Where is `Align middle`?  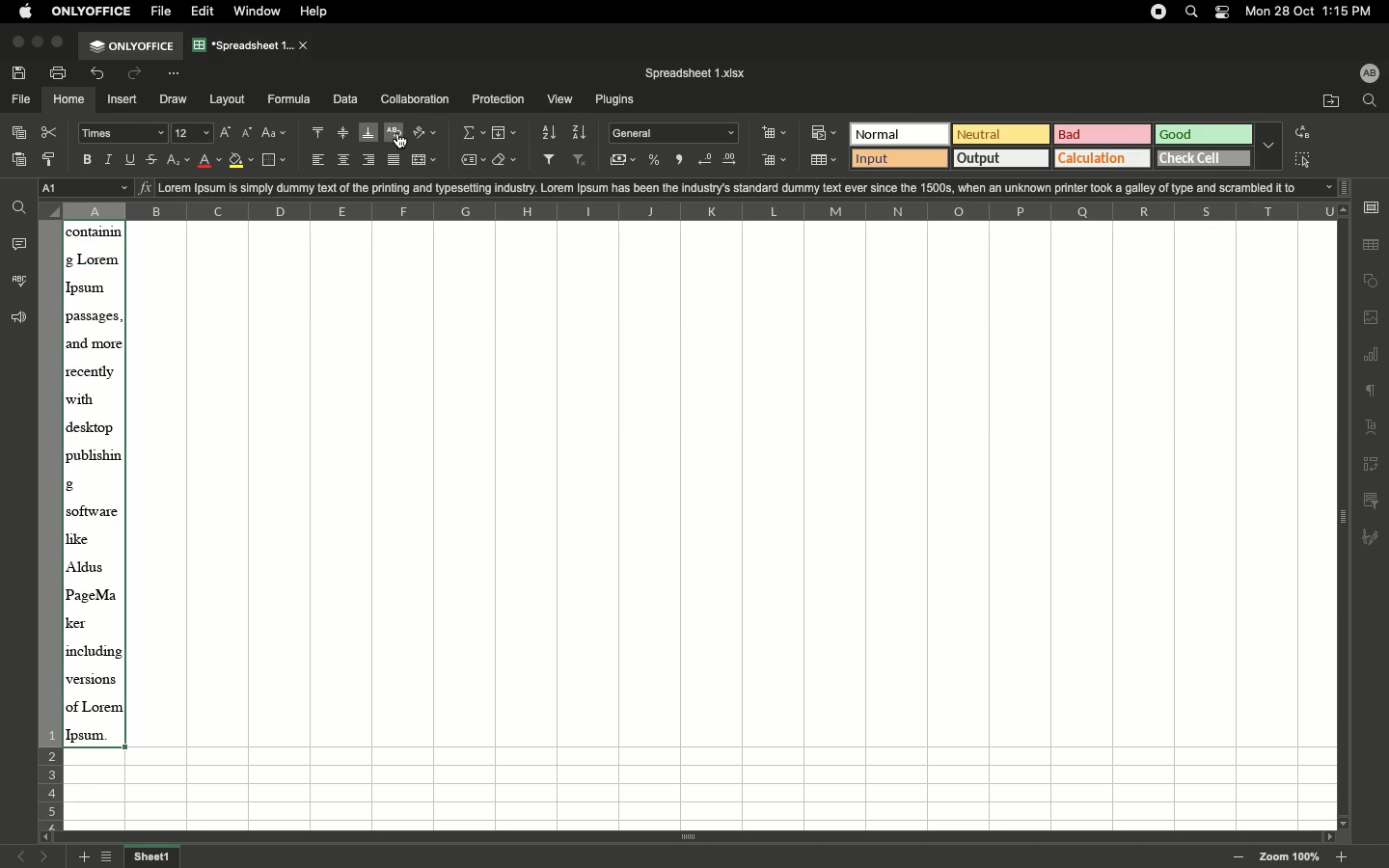 Align middle is located at coordinates (343, 133).